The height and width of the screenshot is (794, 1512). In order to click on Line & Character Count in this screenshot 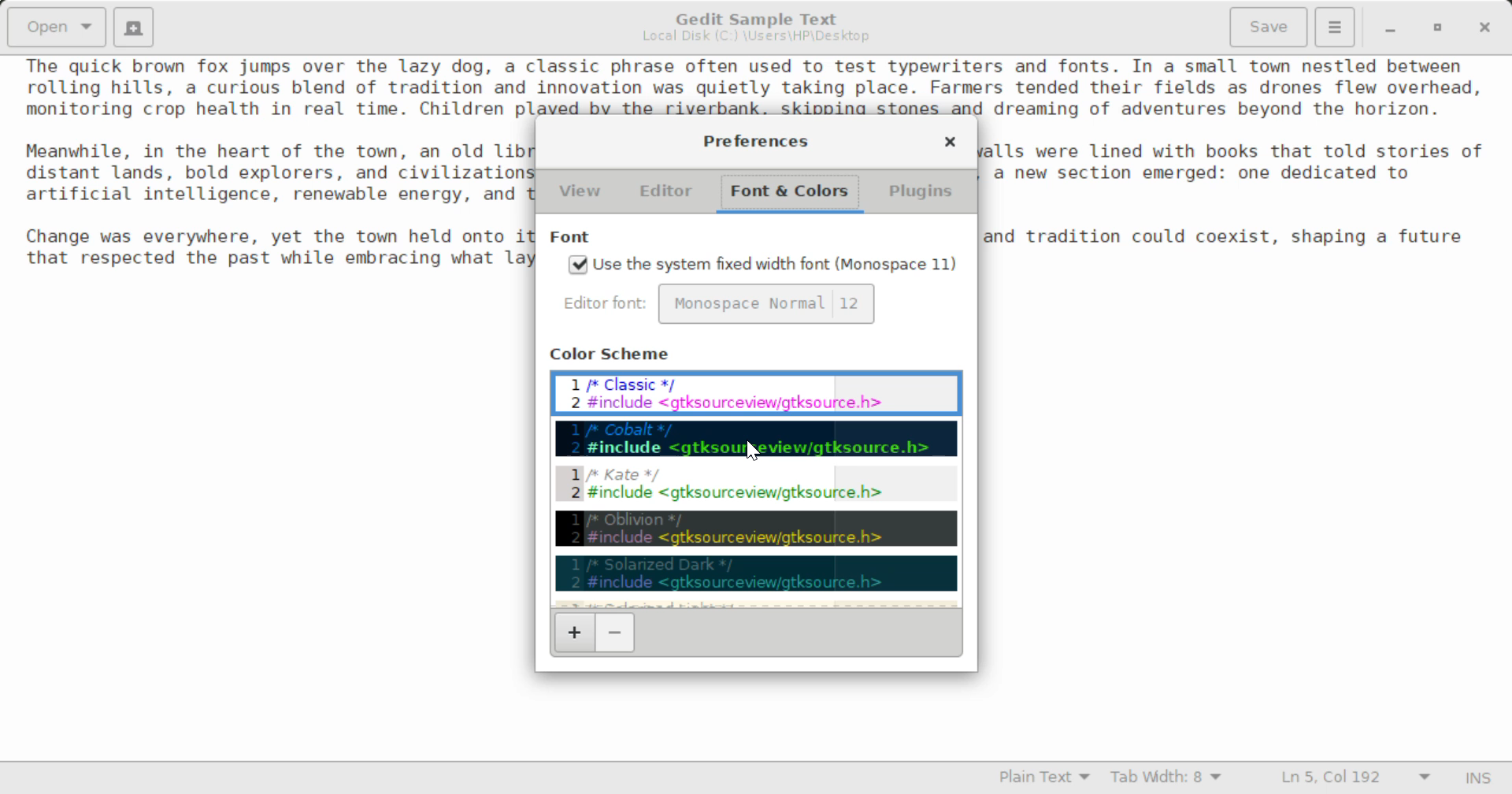, I will do `click(1348, 779)`.